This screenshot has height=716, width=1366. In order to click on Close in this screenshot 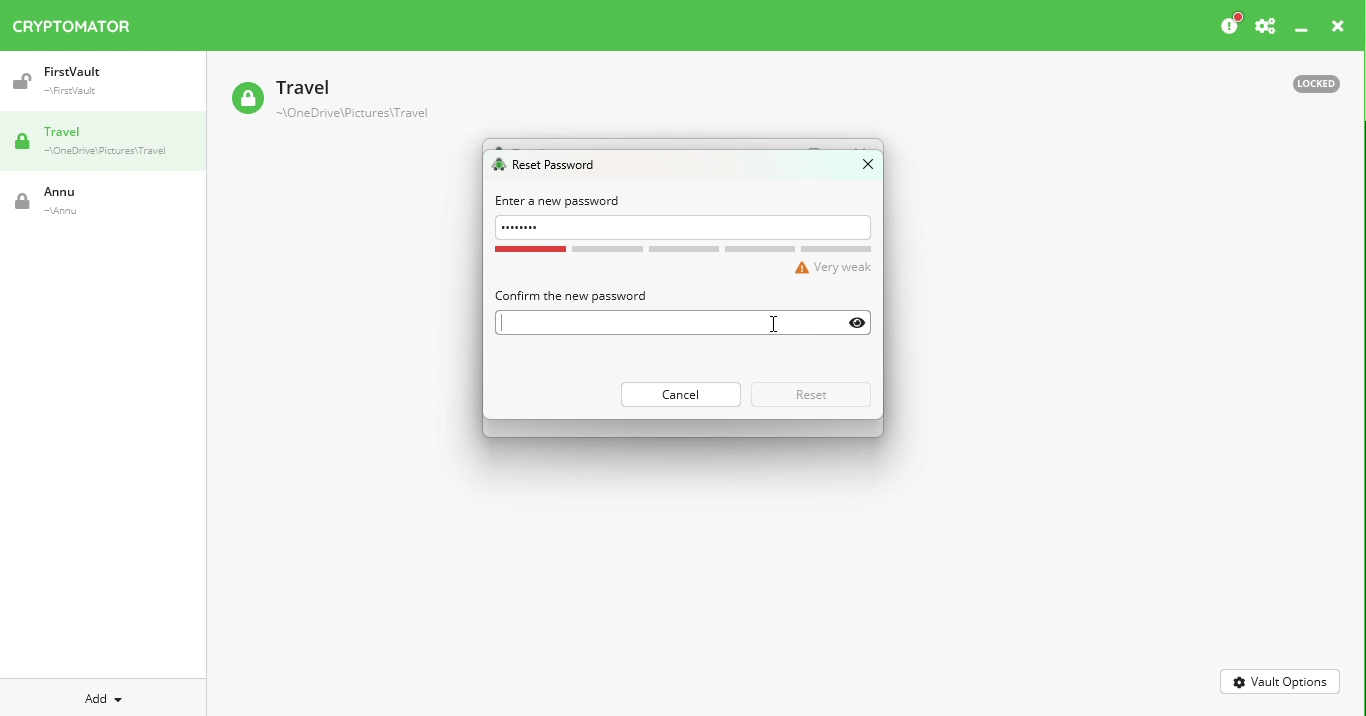, I will do `click(1338, 29)`.